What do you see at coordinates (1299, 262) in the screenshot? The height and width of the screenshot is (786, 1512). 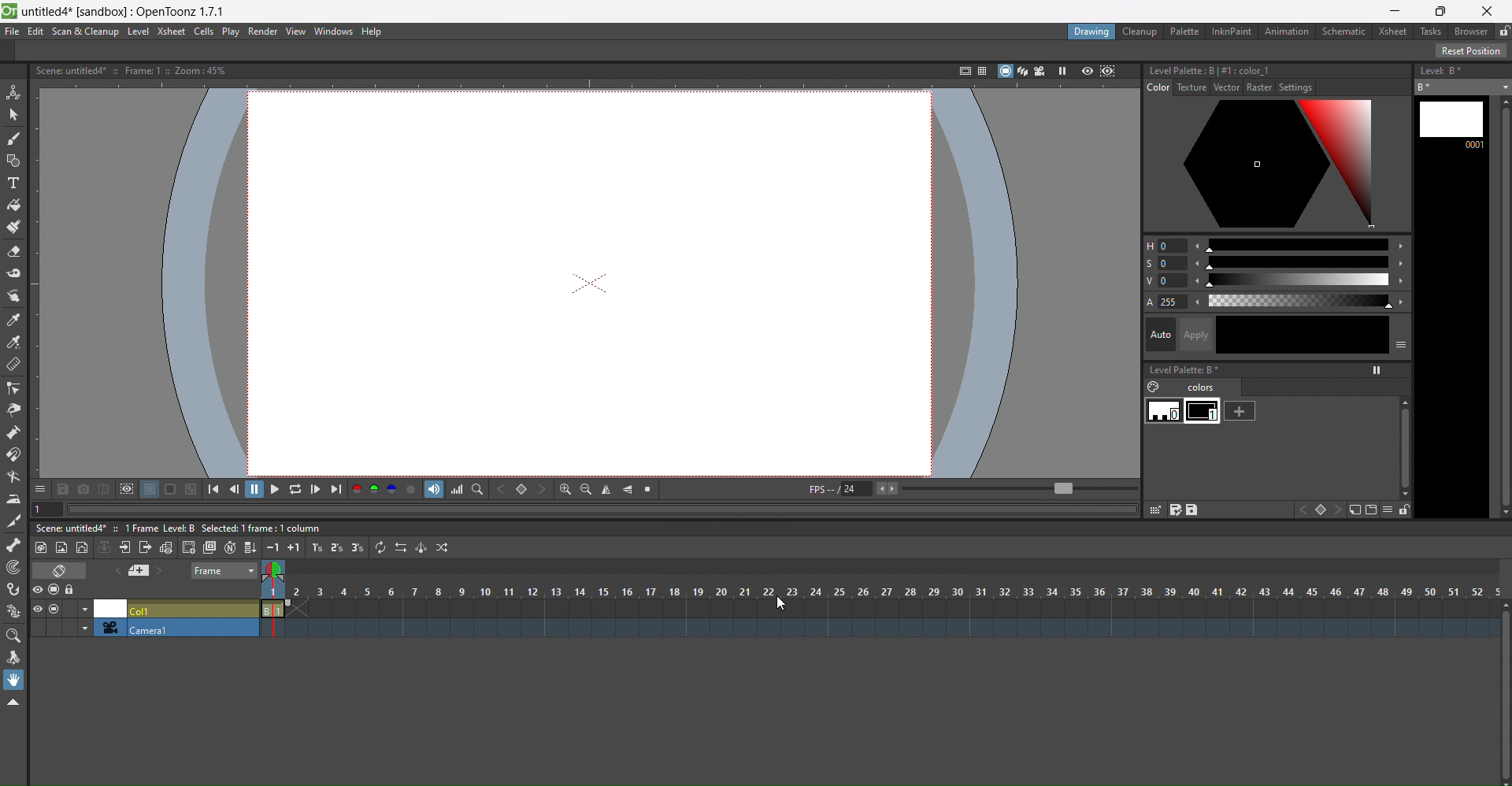 I see `S` at bounding box center [1299, 262].